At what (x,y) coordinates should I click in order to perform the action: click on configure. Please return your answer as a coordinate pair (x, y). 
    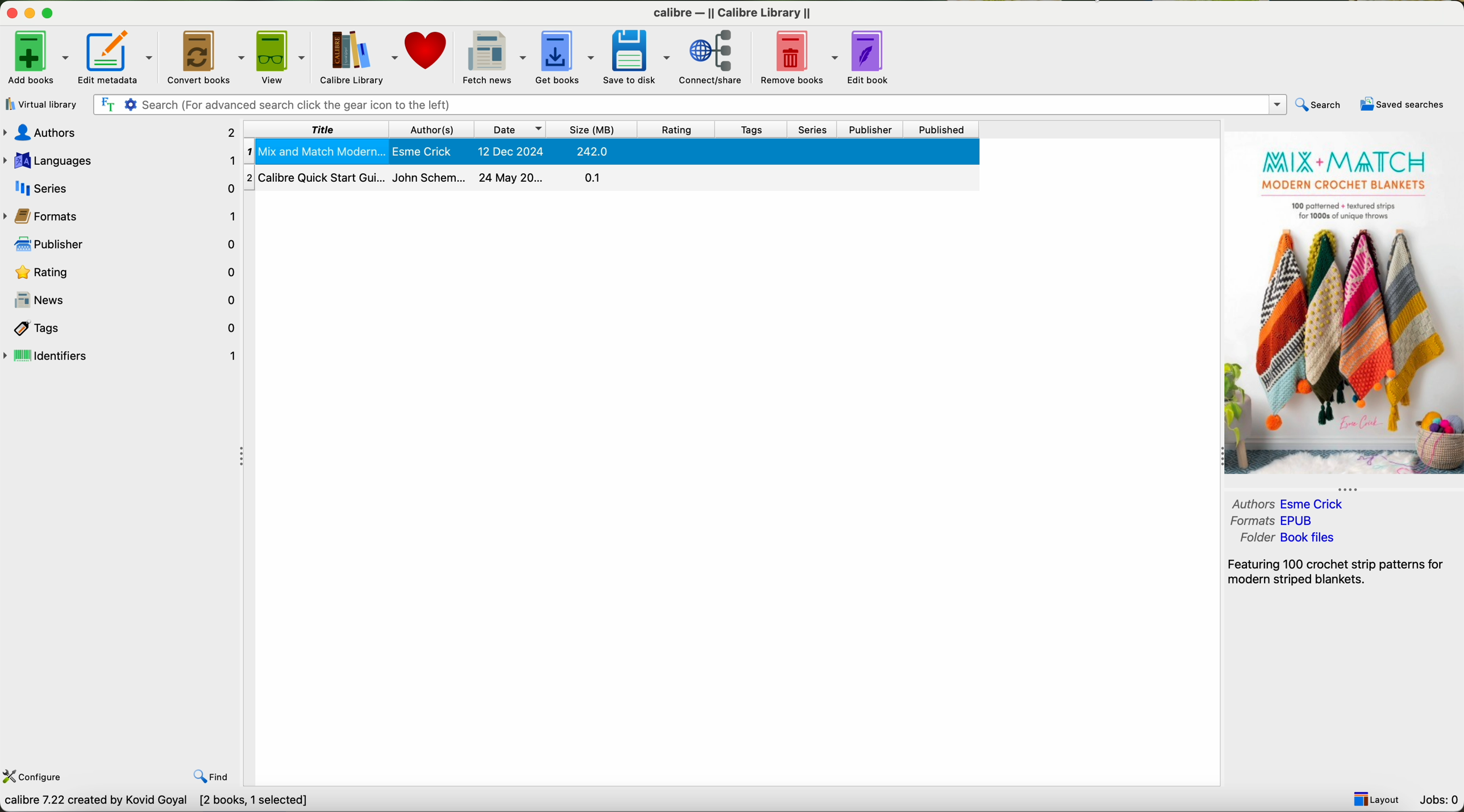
    Looking at the image, I should click on (33, 777).